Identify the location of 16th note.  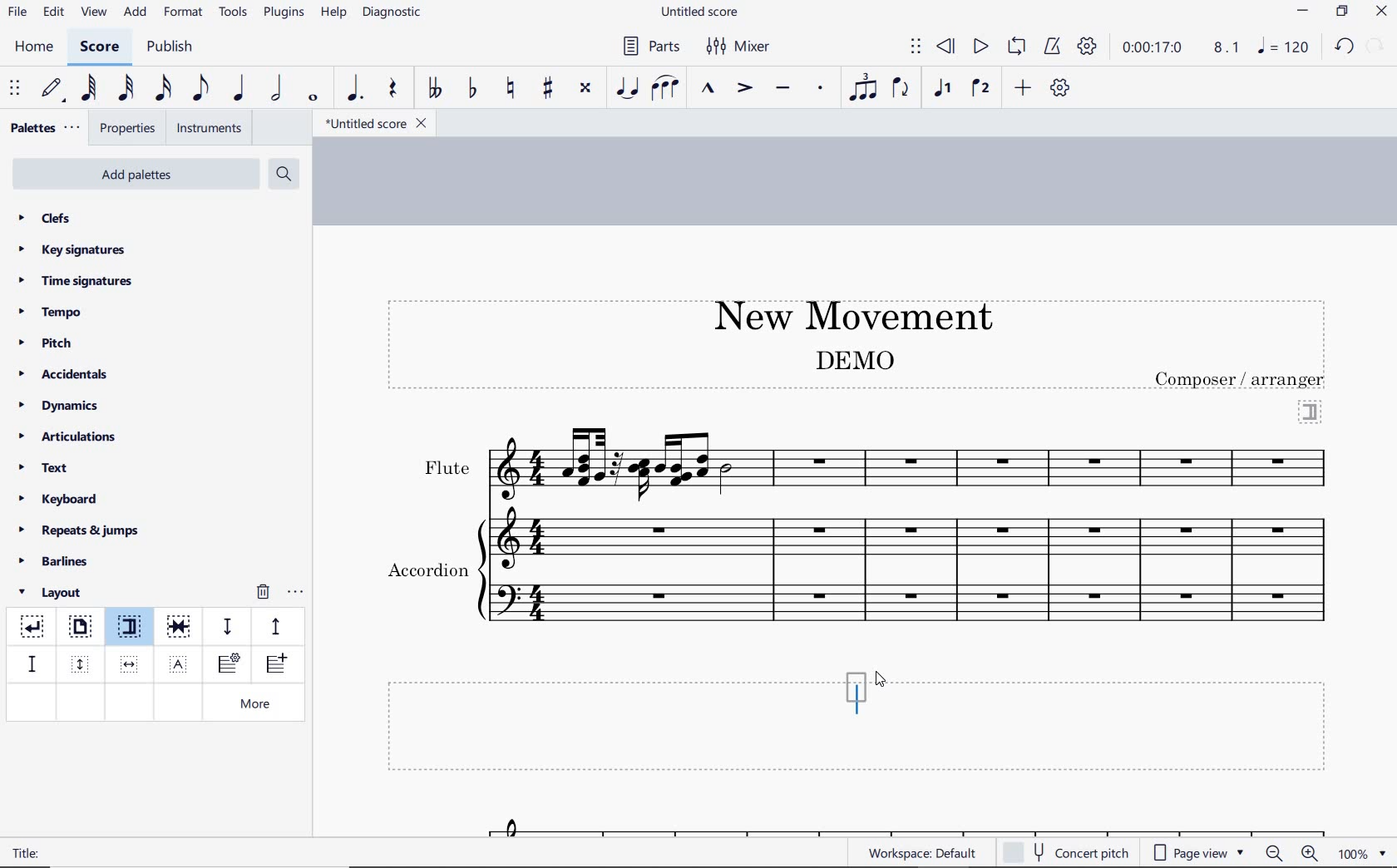
(164, 89).